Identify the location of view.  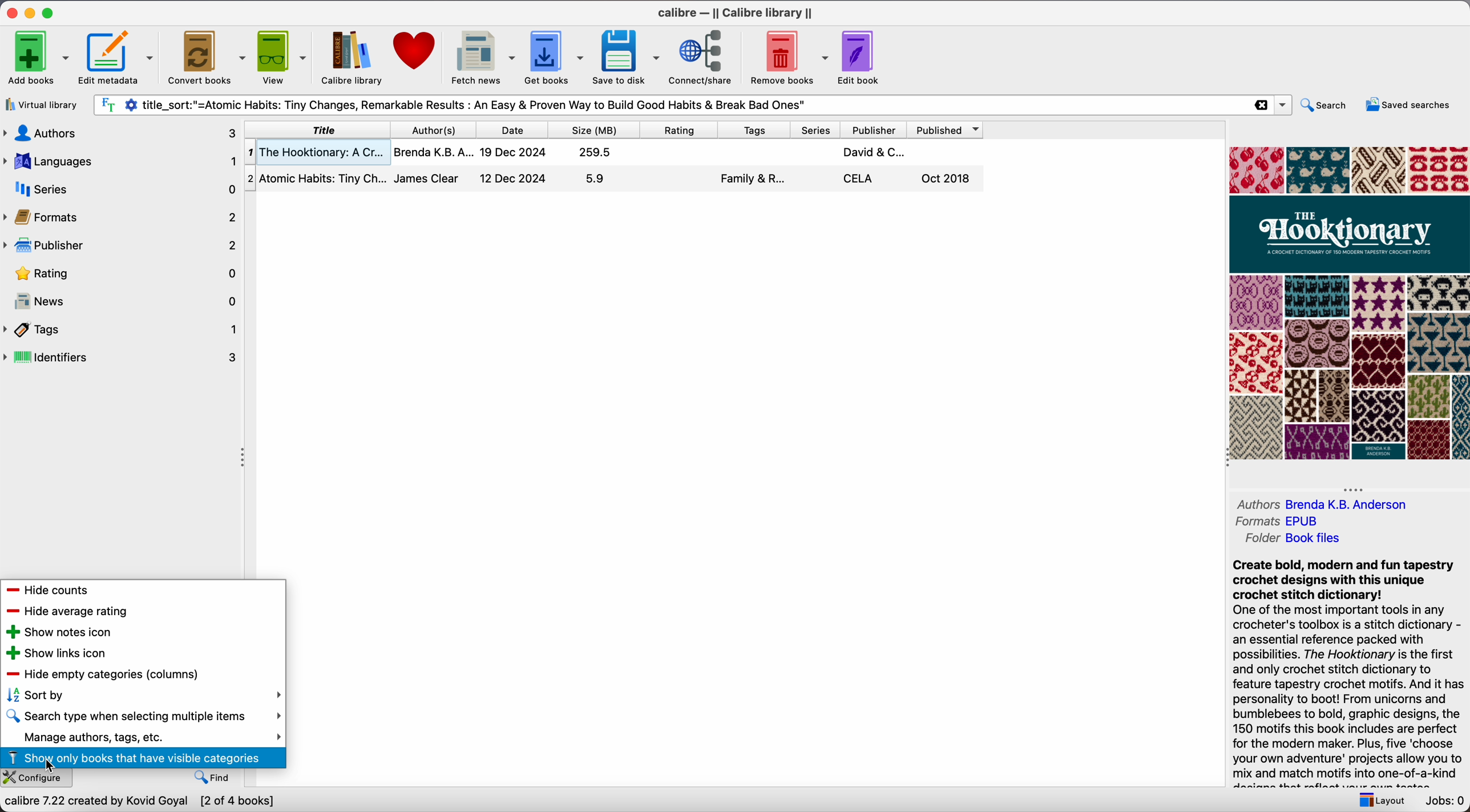
(281, 58).